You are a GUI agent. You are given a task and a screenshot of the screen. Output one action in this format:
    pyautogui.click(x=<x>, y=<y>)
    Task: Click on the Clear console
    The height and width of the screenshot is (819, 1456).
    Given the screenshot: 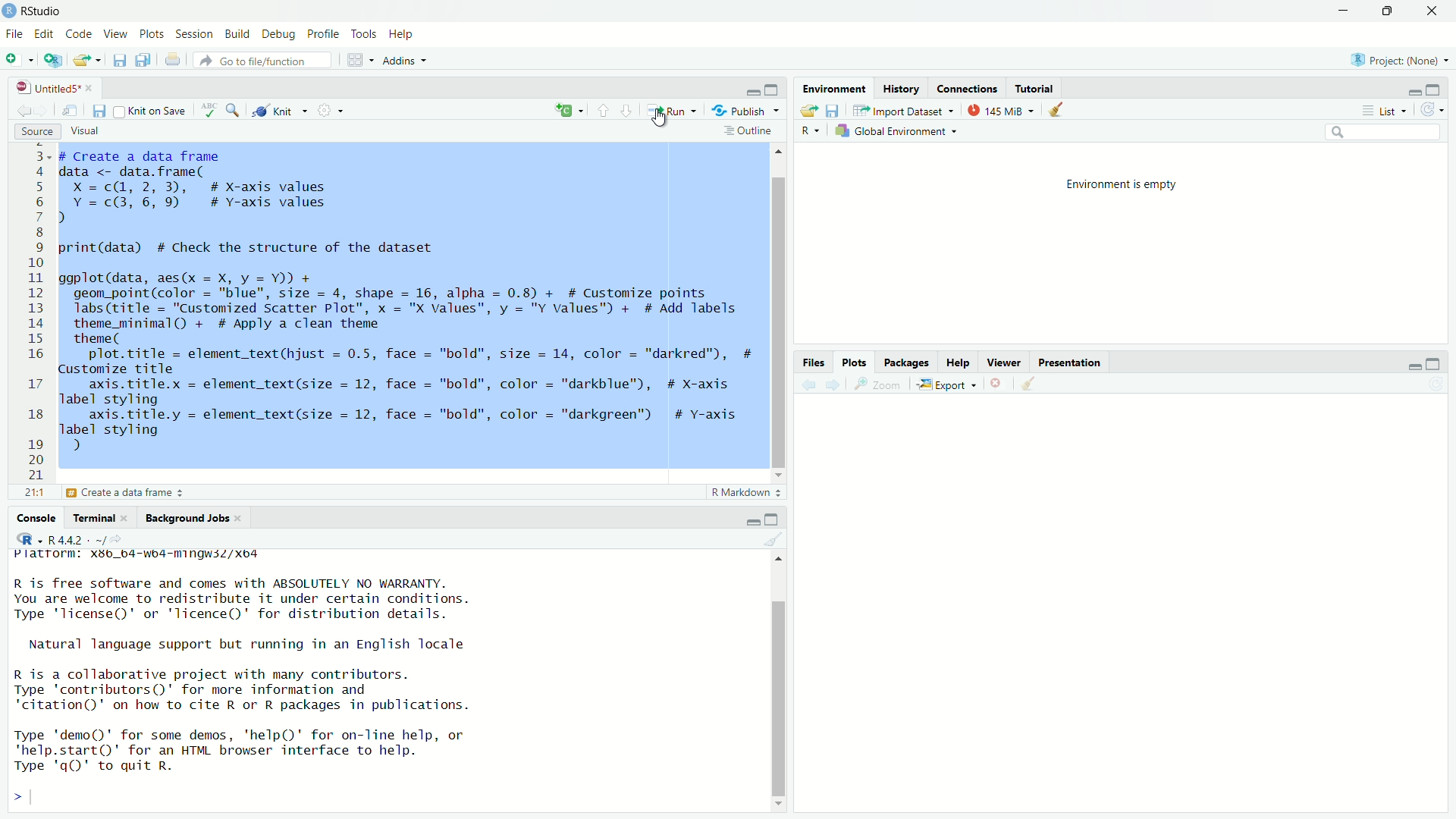 What is the action you would take?
    pyautogui.click(x=1032, y=385)
    